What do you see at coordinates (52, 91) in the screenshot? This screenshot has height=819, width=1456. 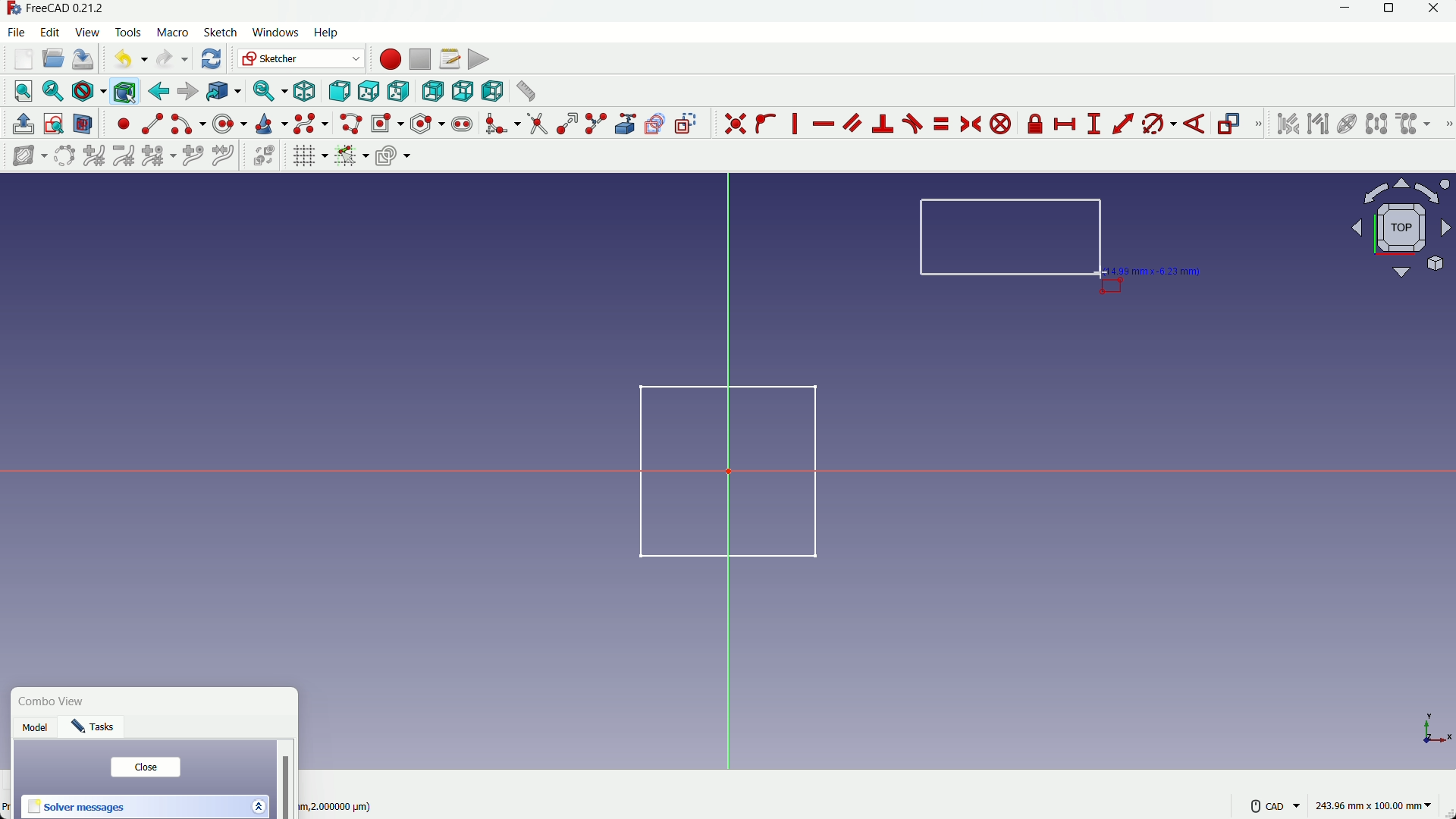 I see `select fit` at bounding box center [52, 91].